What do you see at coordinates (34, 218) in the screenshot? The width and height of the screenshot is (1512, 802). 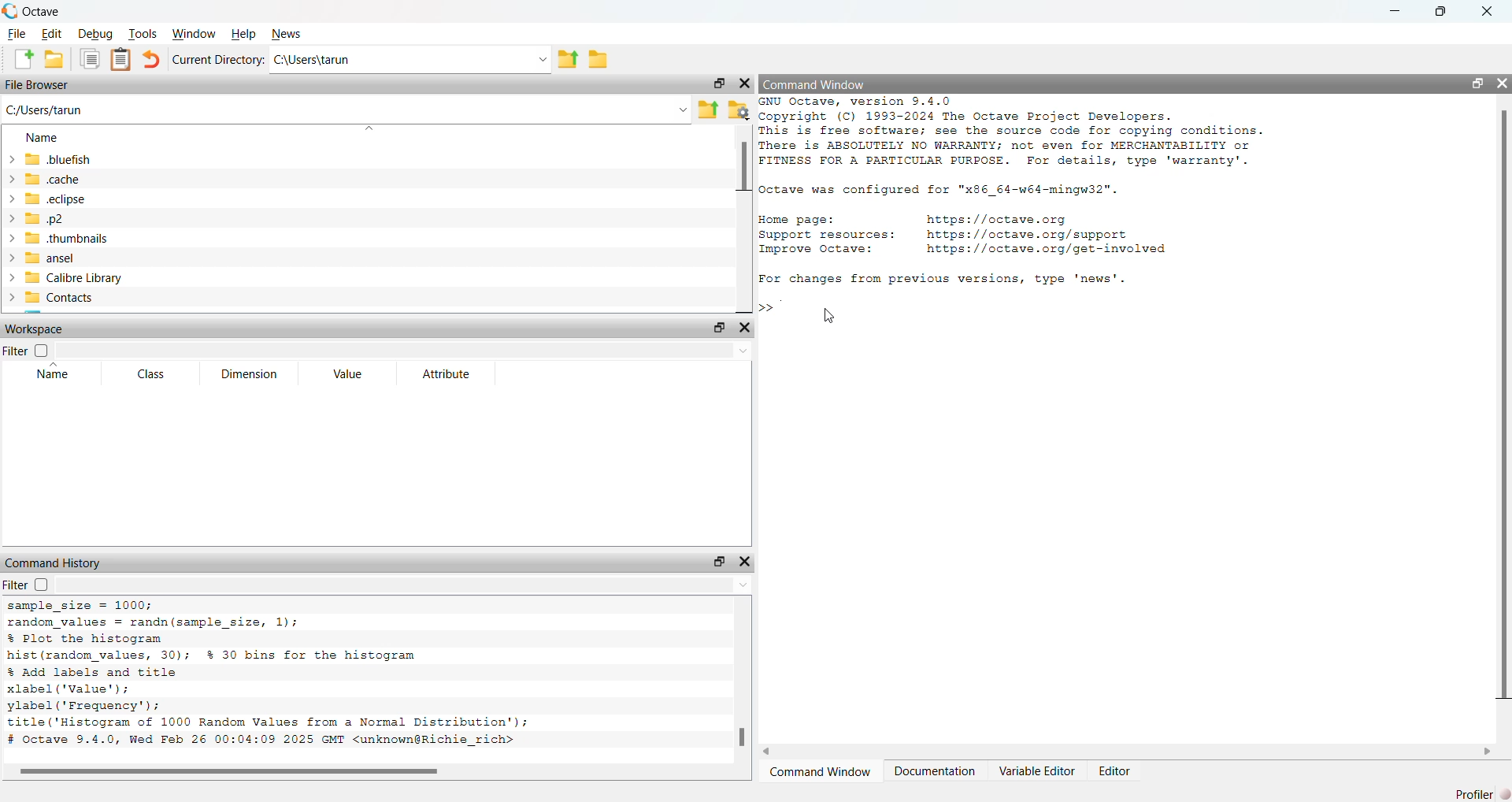 I see `.p2` at bounding box center [34, 218].